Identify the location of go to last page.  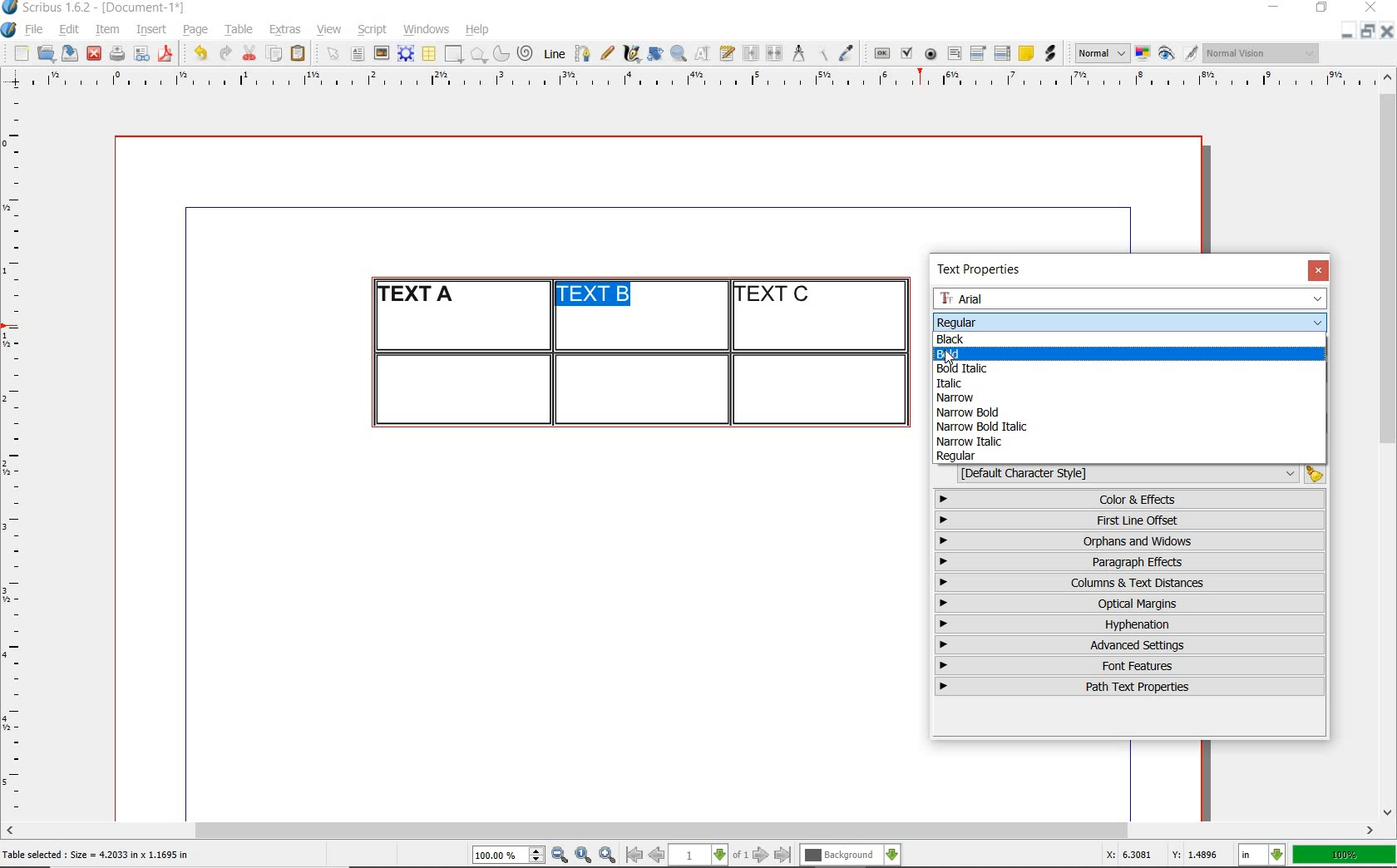
(783, 856).